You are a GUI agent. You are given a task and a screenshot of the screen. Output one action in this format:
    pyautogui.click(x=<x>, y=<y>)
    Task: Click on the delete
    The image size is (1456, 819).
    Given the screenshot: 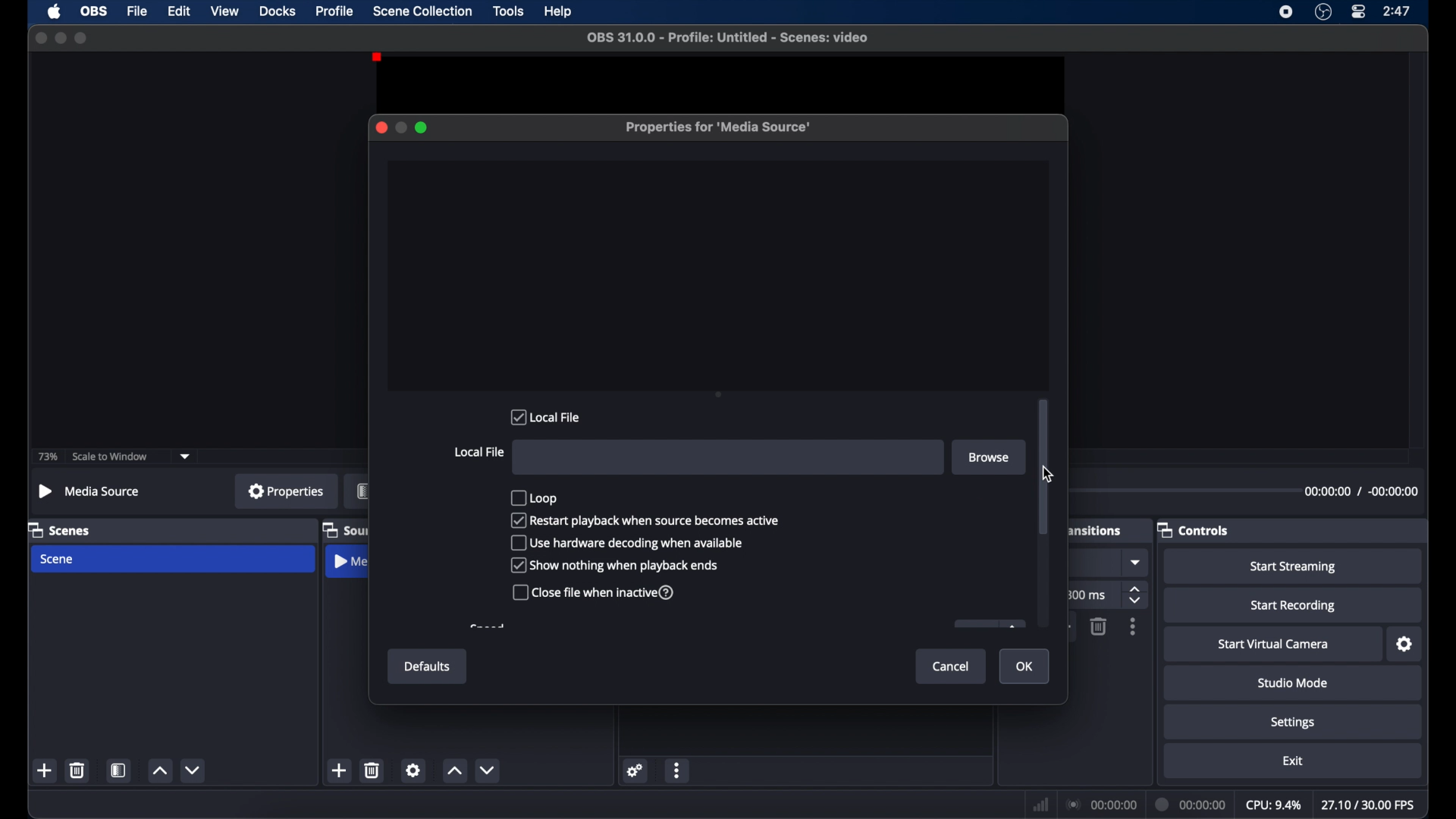 What is the action you would take?
    pyautogui.click(x=1098, y=626)
    